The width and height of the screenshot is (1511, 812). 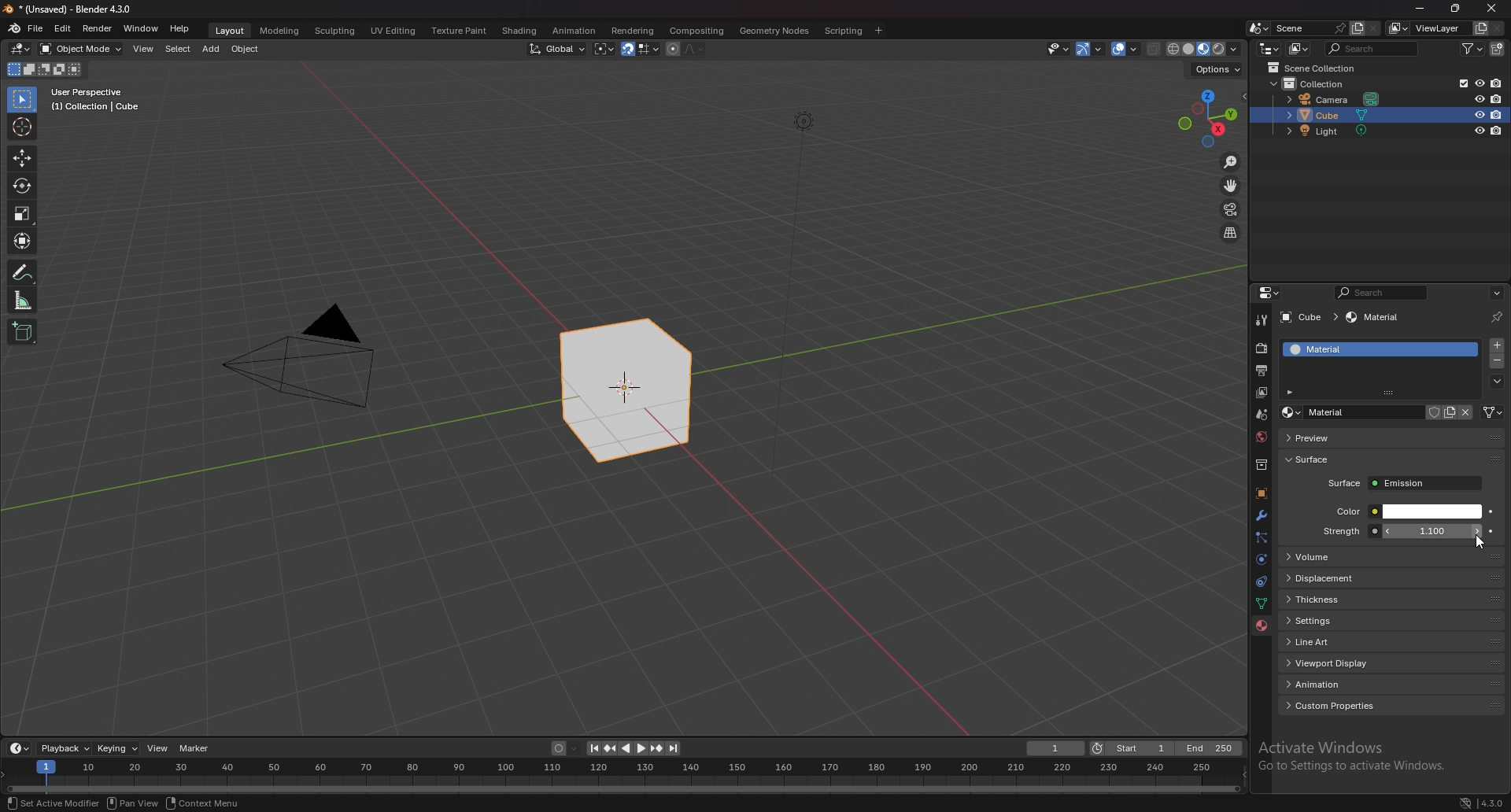 What do you see at coordinates (135, 803) in the screenshot?
I see `` at bounding box center [135, 803].